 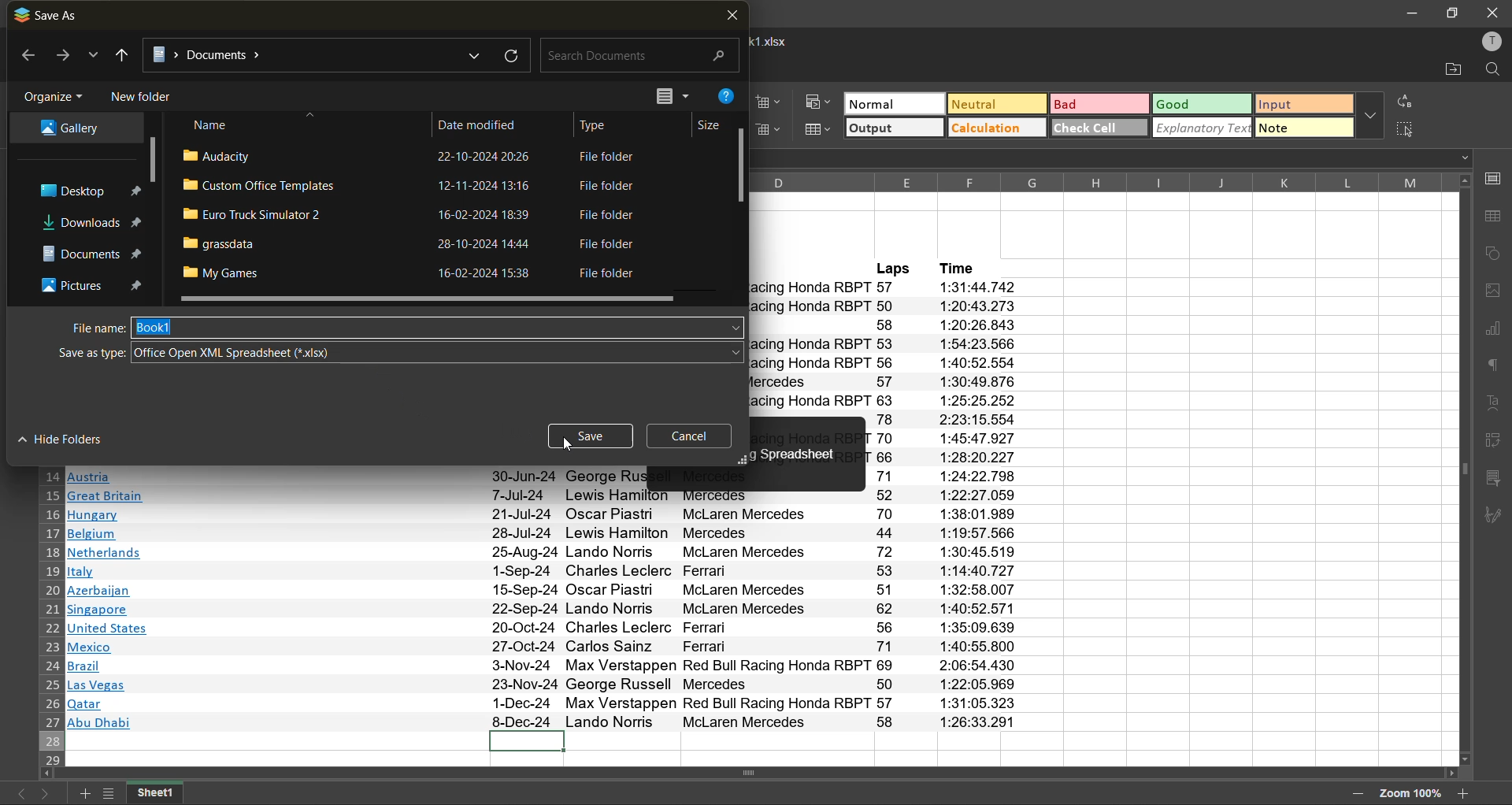 What do you see at coordinates (1463, 760) in the screenshot?
I see `move down` at bounding box center [1463, 760].